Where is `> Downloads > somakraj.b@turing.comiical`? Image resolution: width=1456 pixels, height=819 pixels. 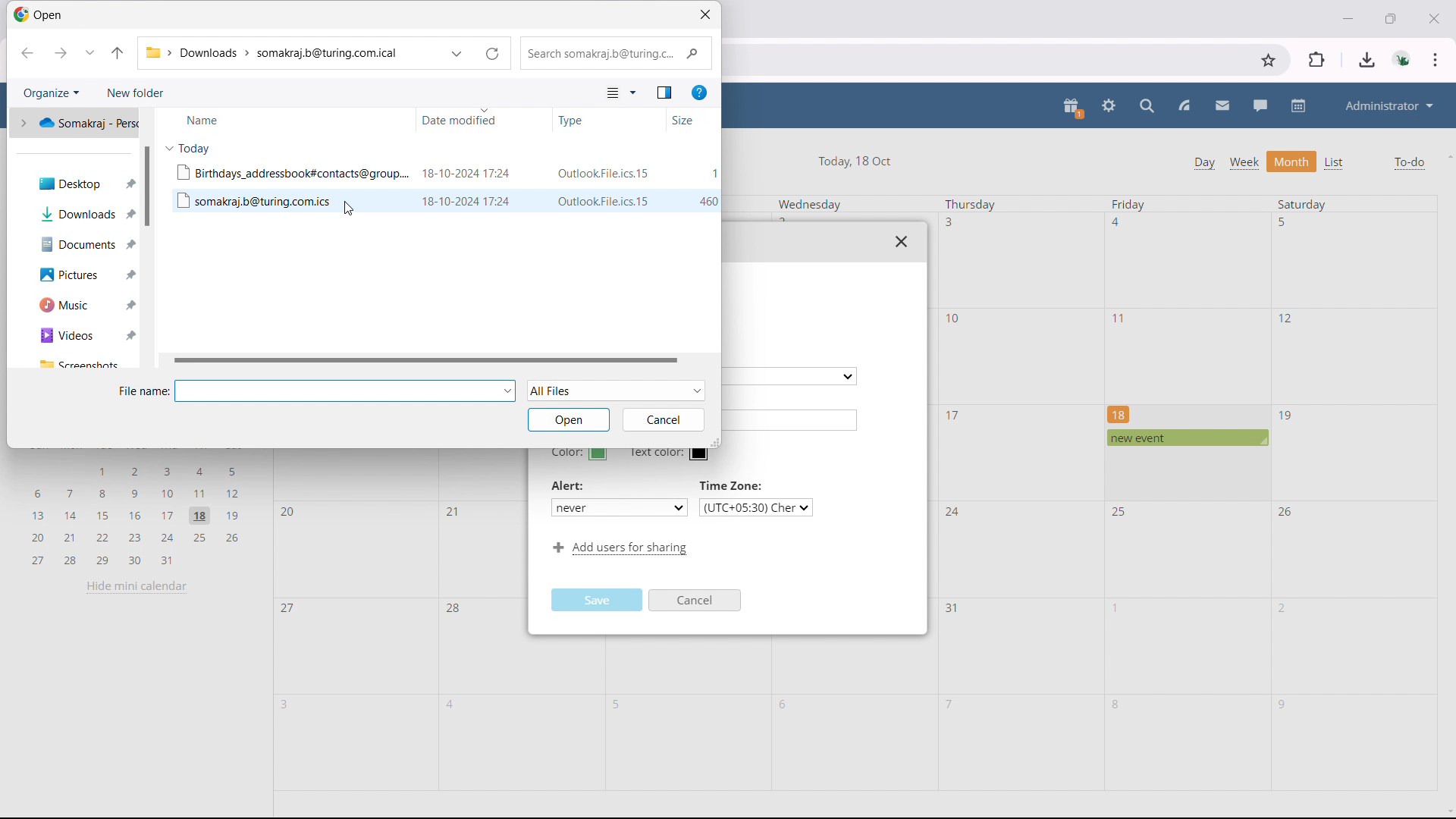 > Downloads > somakraj.b@turing.comiical is located at coordinates (276, 54).